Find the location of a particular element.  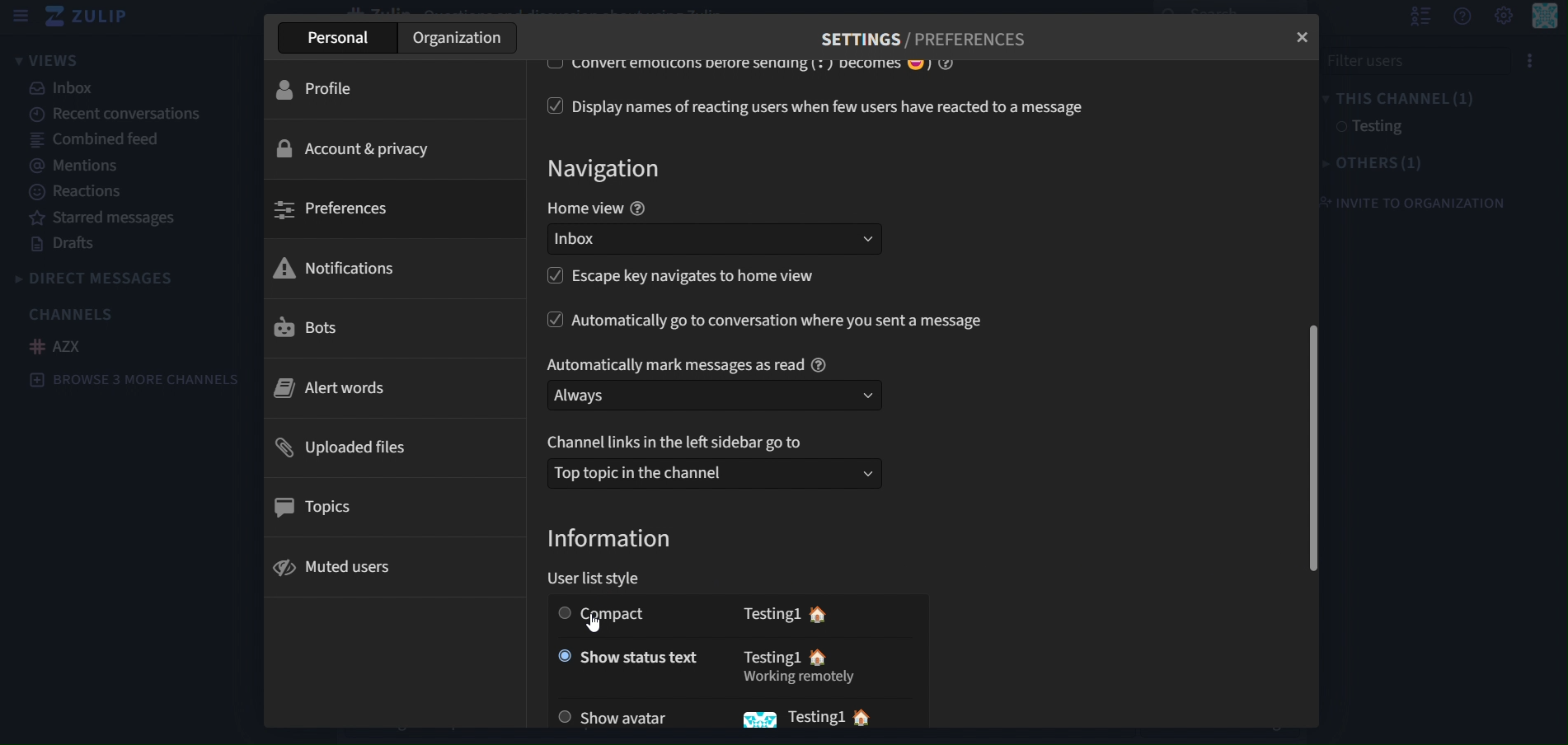

setting is located at coordinates (1503, 16).